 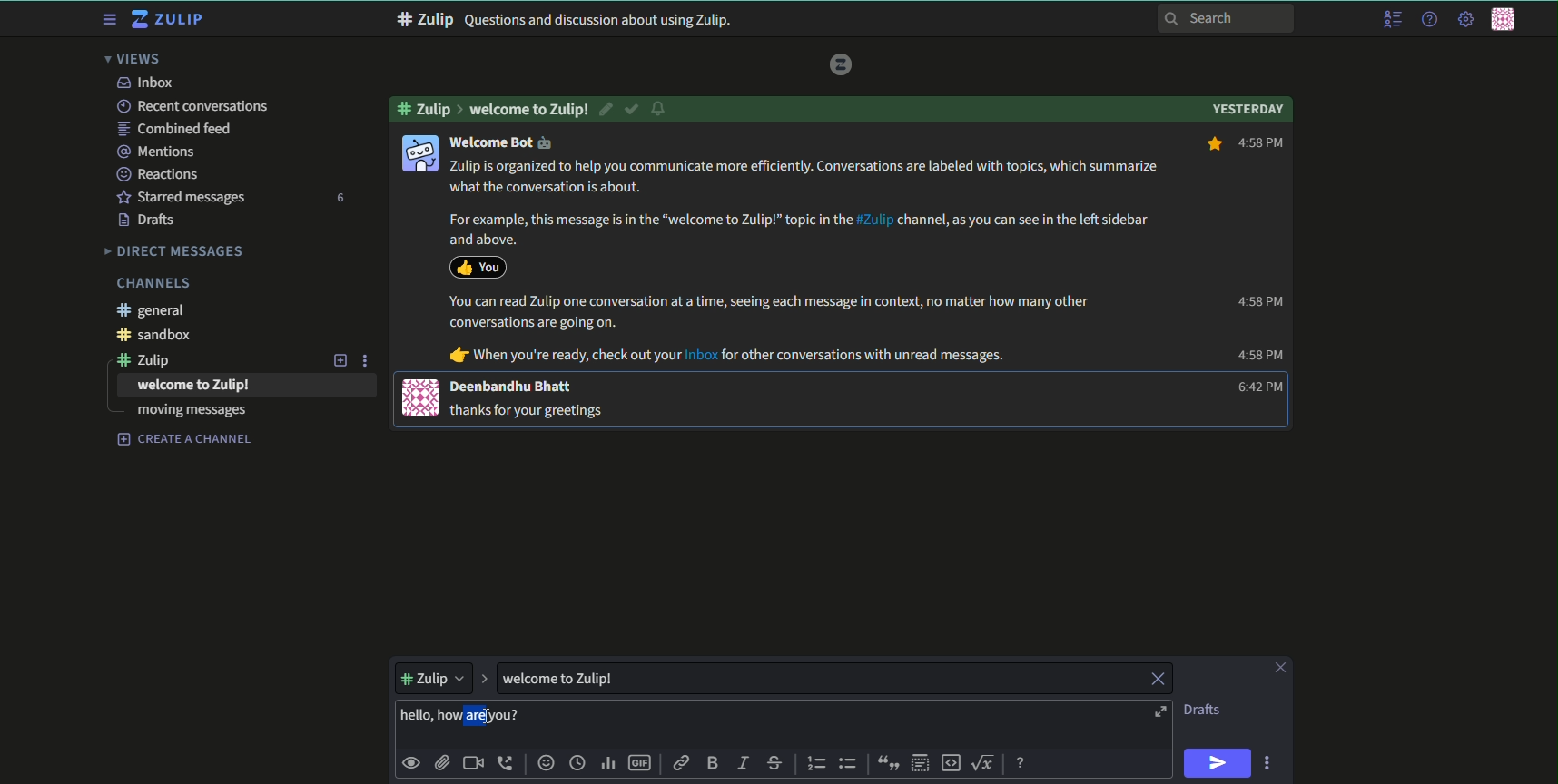 What do you see at coordinates (170, 20) in the screenshot?
I see `title and logo` at bounding box center [170, 20].